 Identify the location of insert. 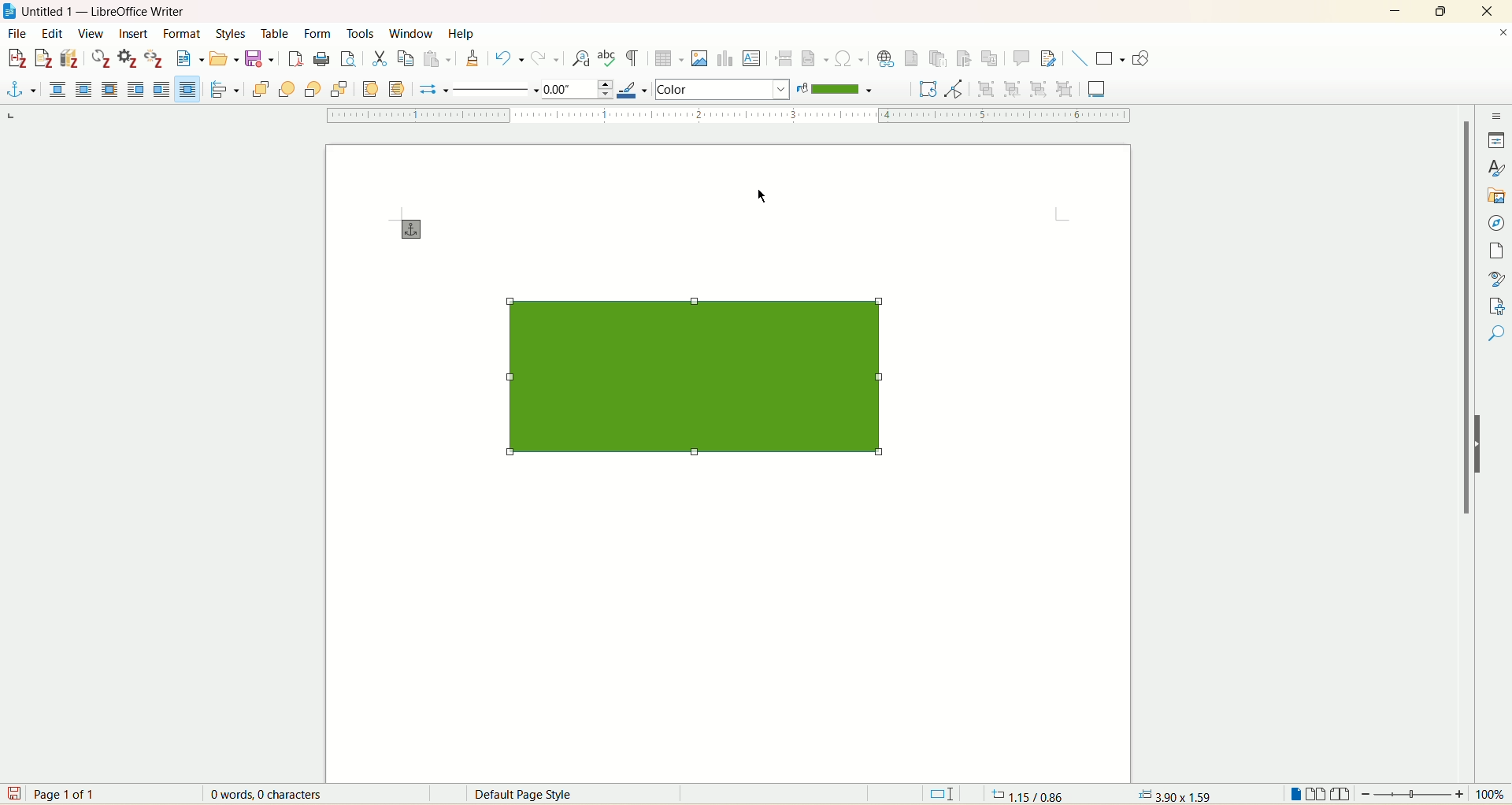
(134, 35).